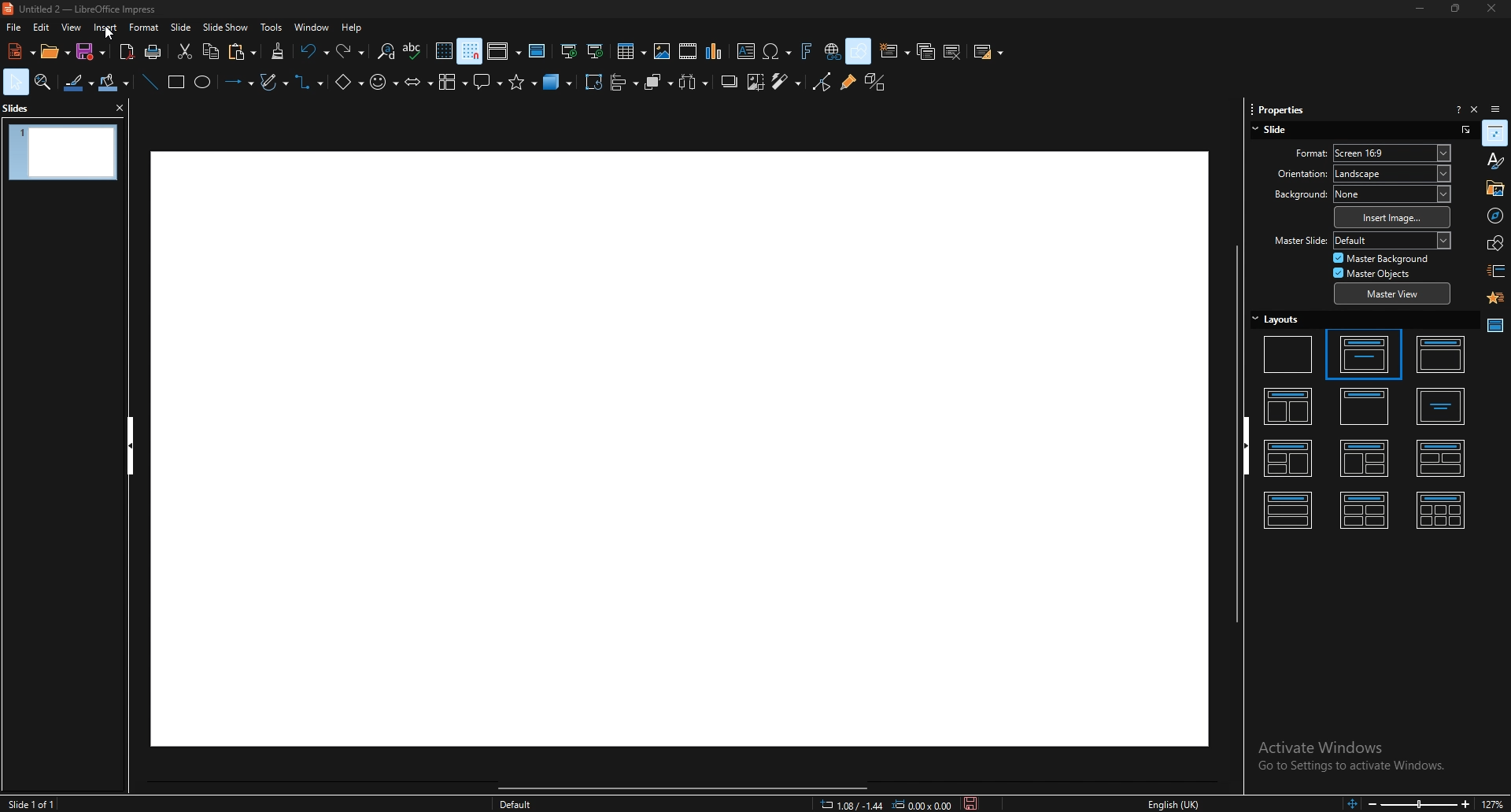 Image resolution: width=1511 pixels, height=812 pixels. Describe the element at coordinates (353, 28) in the screenshot. I see `help` at that location.